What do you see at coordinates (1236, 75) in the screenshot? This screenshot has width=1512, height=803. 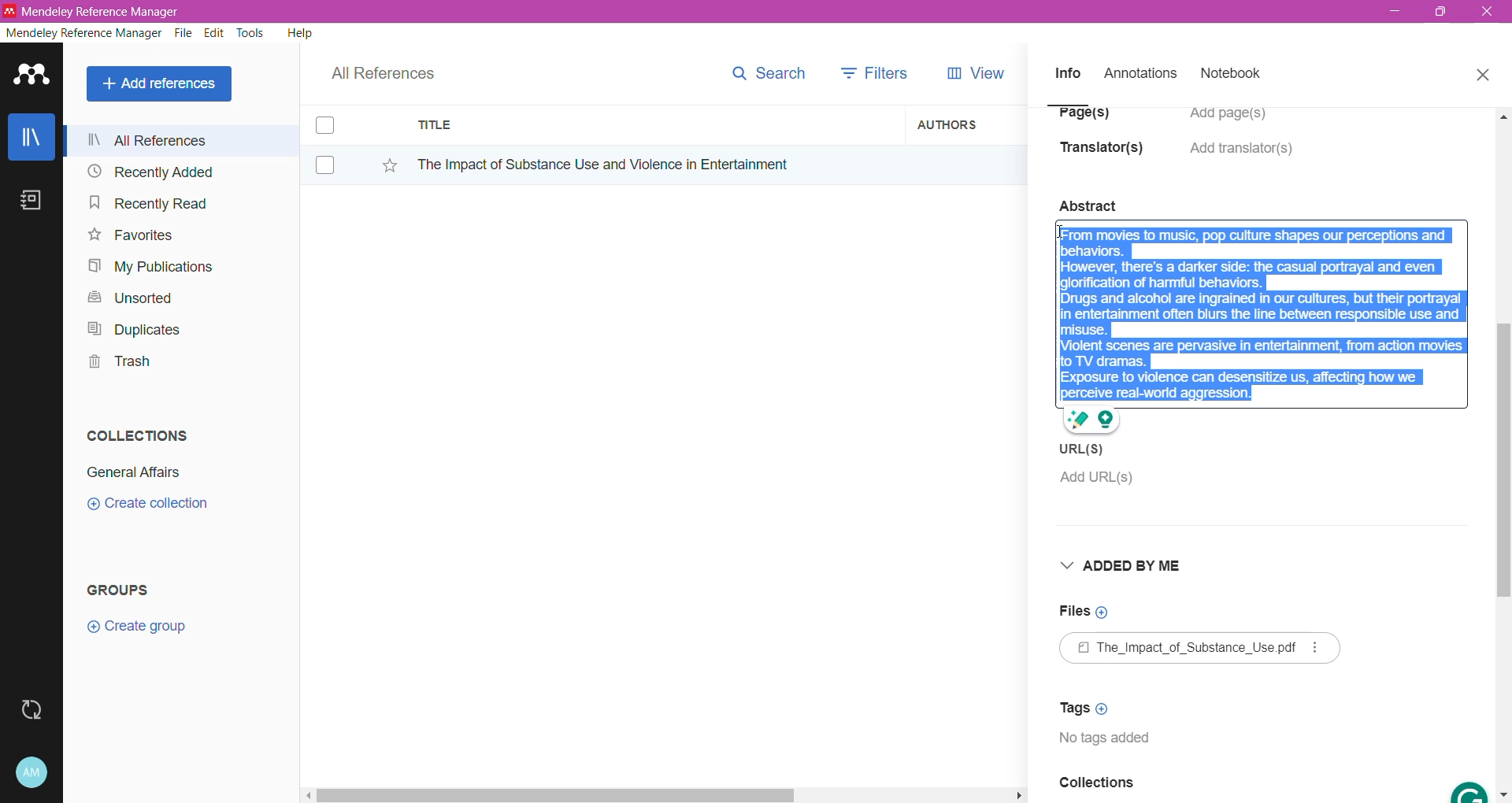 I see `Notebook` at bounding box center [1236, 75].